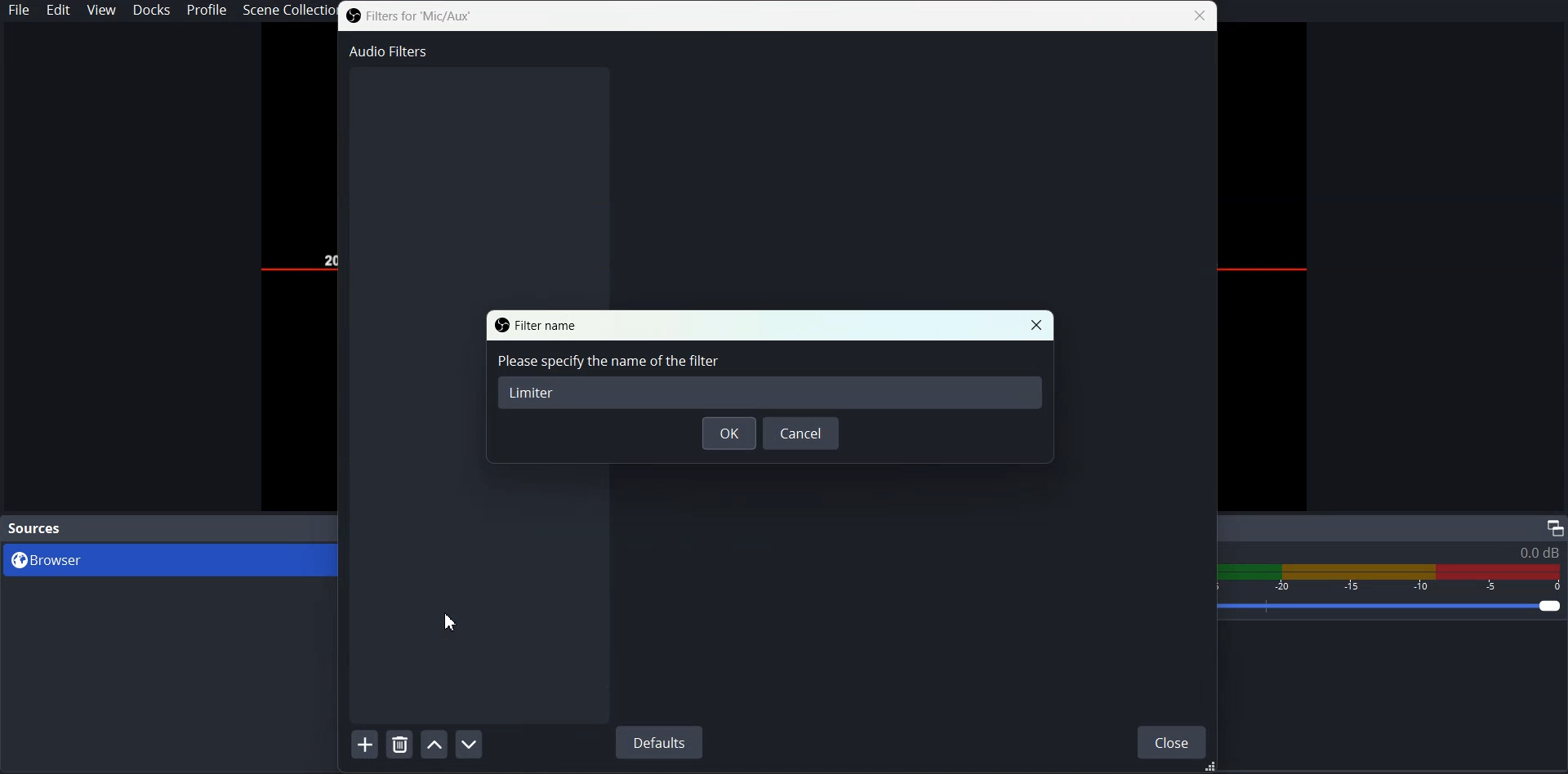 Image resolution: width=1568 pixels, height=774 pixels. What do you see at coordinates (207, 11) in the screenshot?
I see `Profile` at bounding box center [207, 11].